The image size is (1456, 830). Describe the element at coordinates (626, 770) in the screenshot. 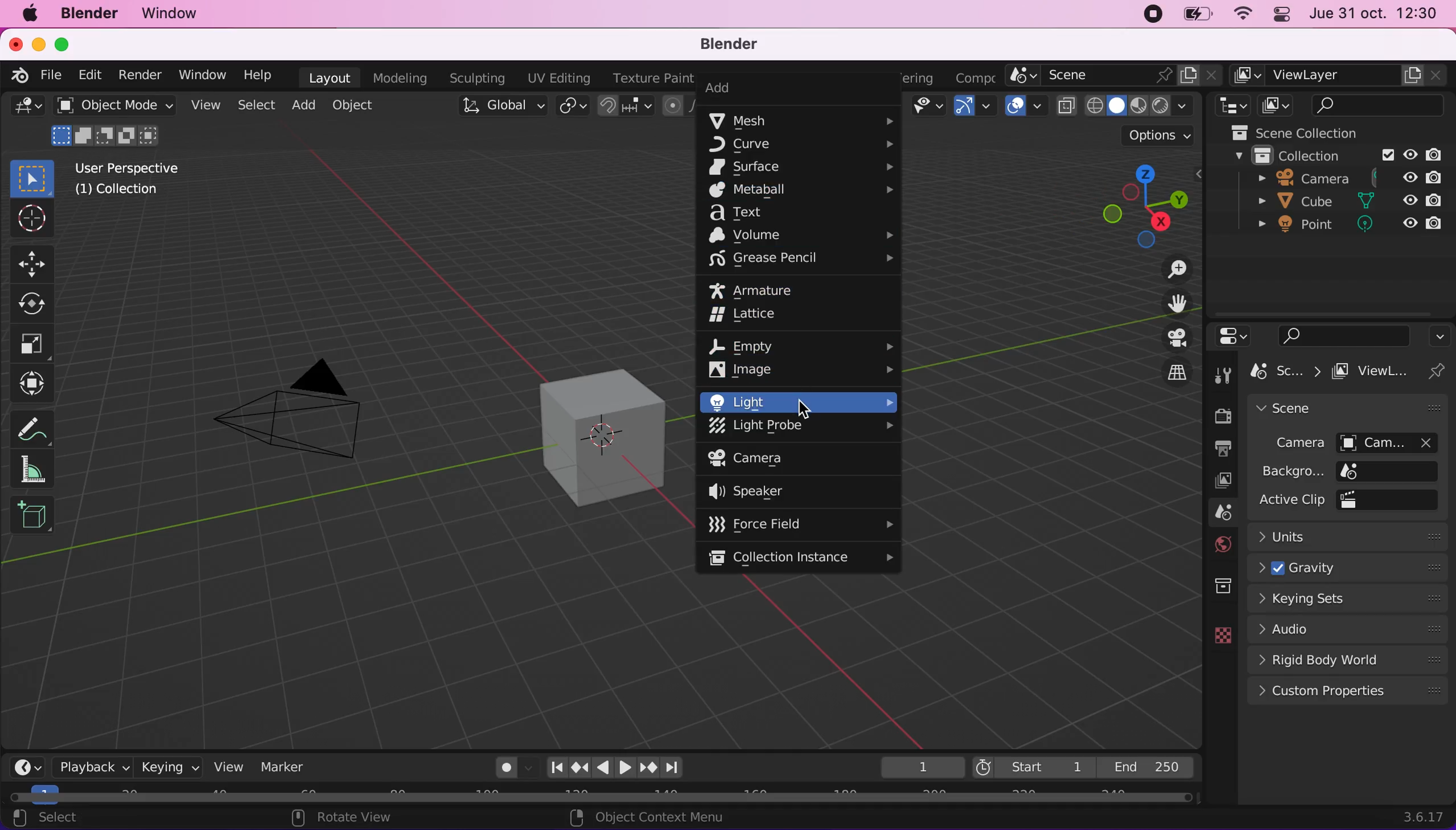

I see `Play animation` at that location.